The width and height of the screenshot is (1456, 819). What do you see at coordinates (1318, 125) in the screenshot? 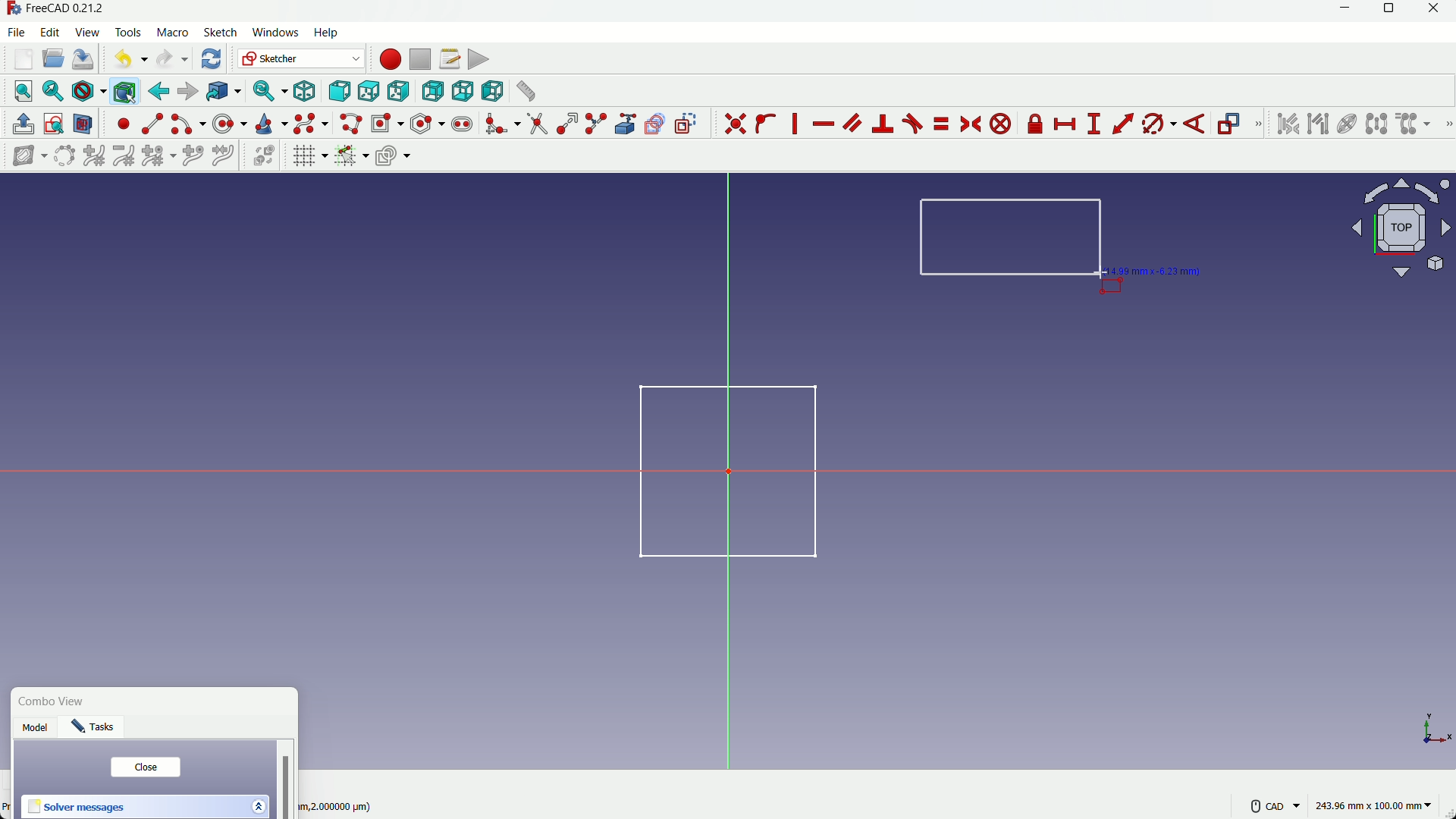
I see `select associated geometry` at bounding box center [1318, 125].